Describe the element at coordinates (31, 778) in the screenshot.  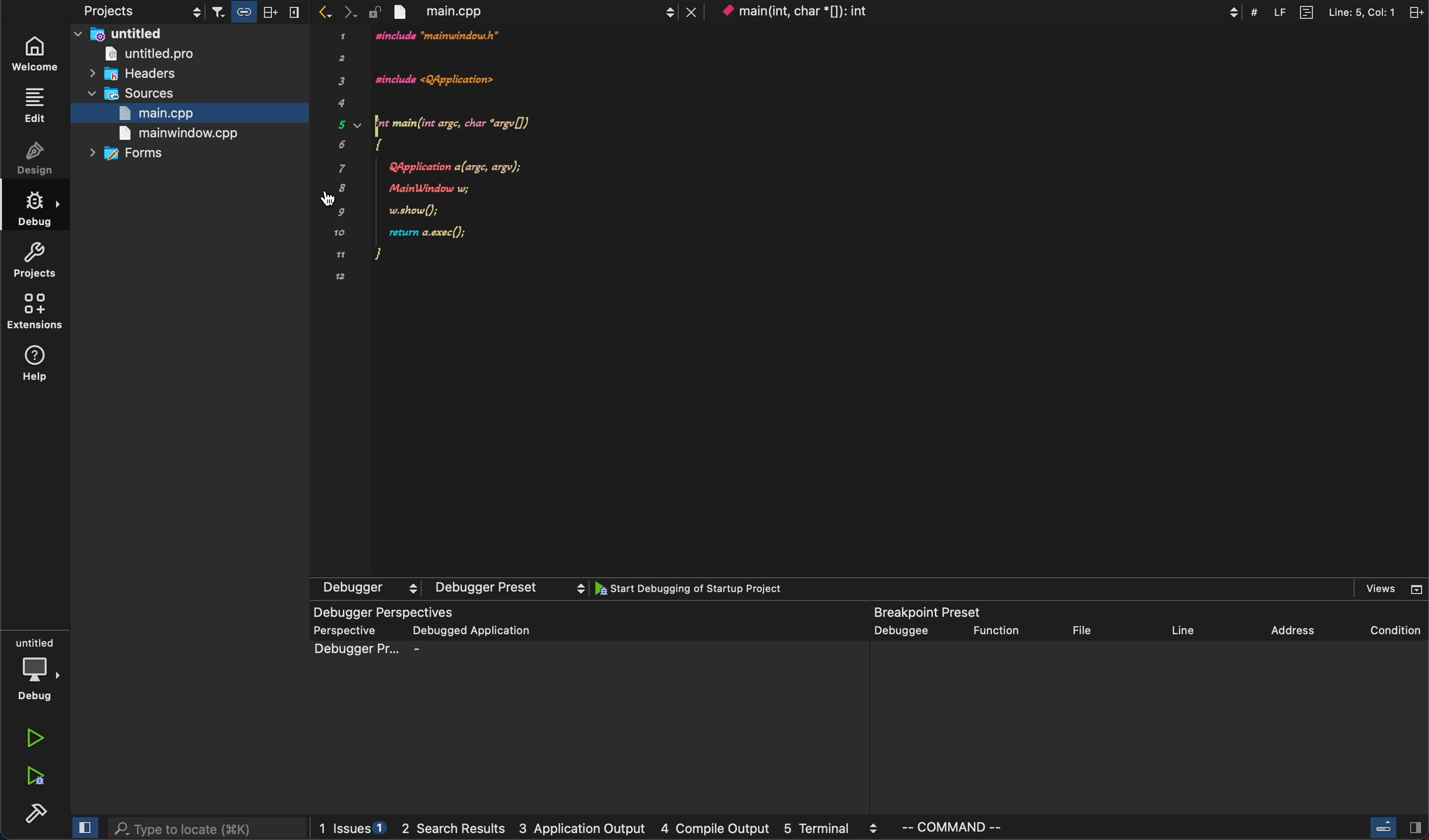
I see `run debug` at that location.